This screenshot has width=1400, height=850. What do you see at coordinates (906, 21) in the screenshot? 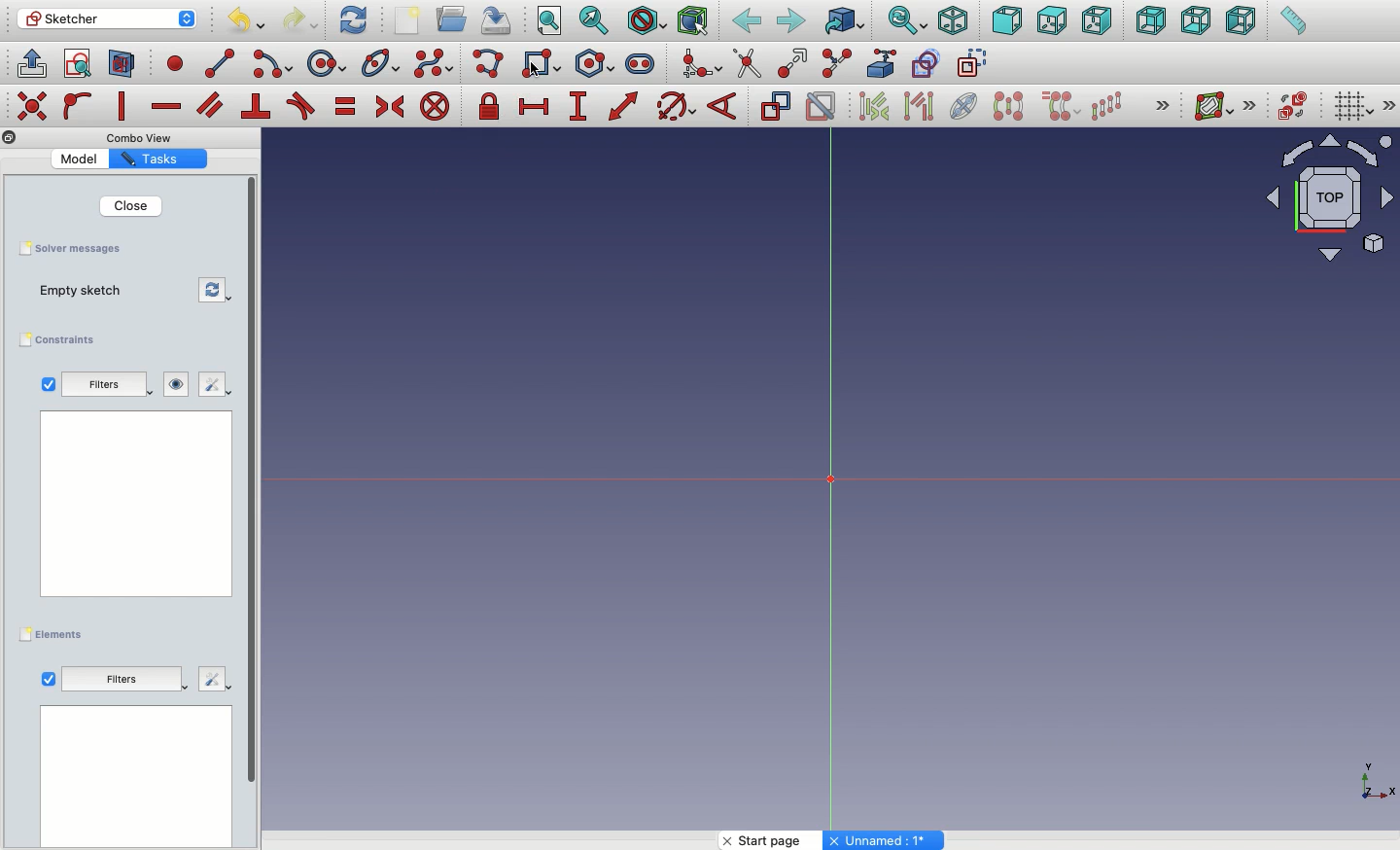
I see `Sync view` at bounding box center [906, 21].